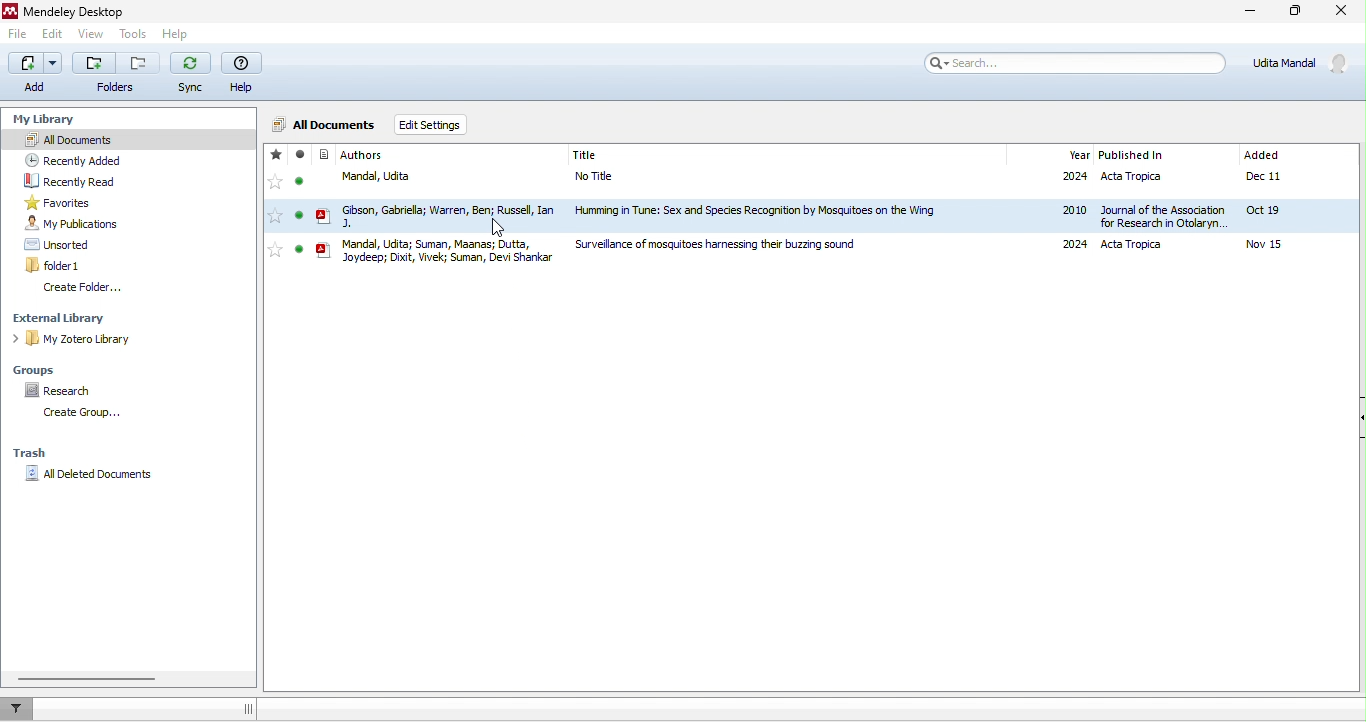  What do you see at coordinates (81, 412) in the screenshot?
I see `create group` at bounding box center [81, 412].